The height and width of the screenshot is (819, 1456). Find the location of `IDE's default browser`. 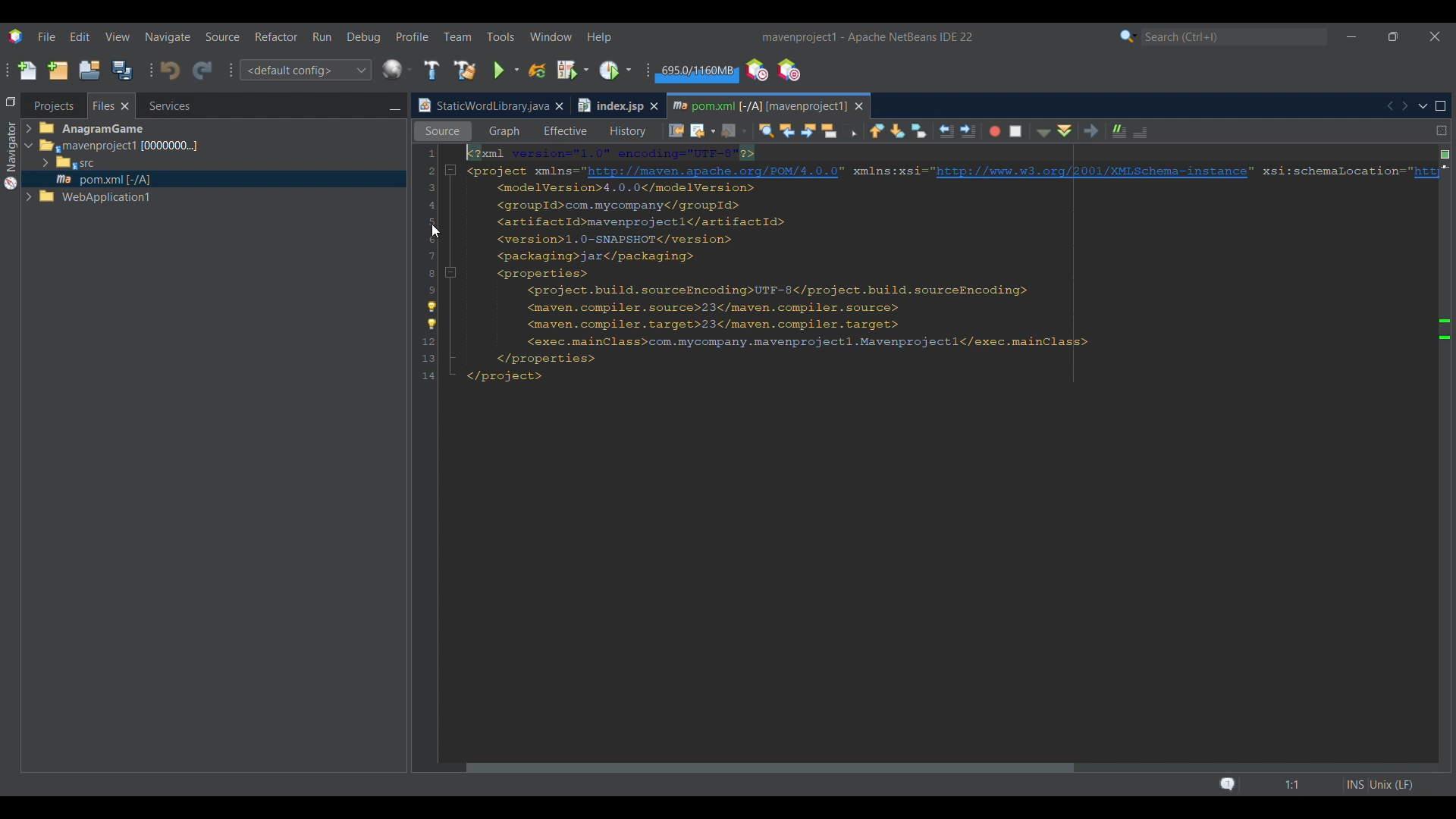

IDE's default browser is located at coordinates (397, 70).